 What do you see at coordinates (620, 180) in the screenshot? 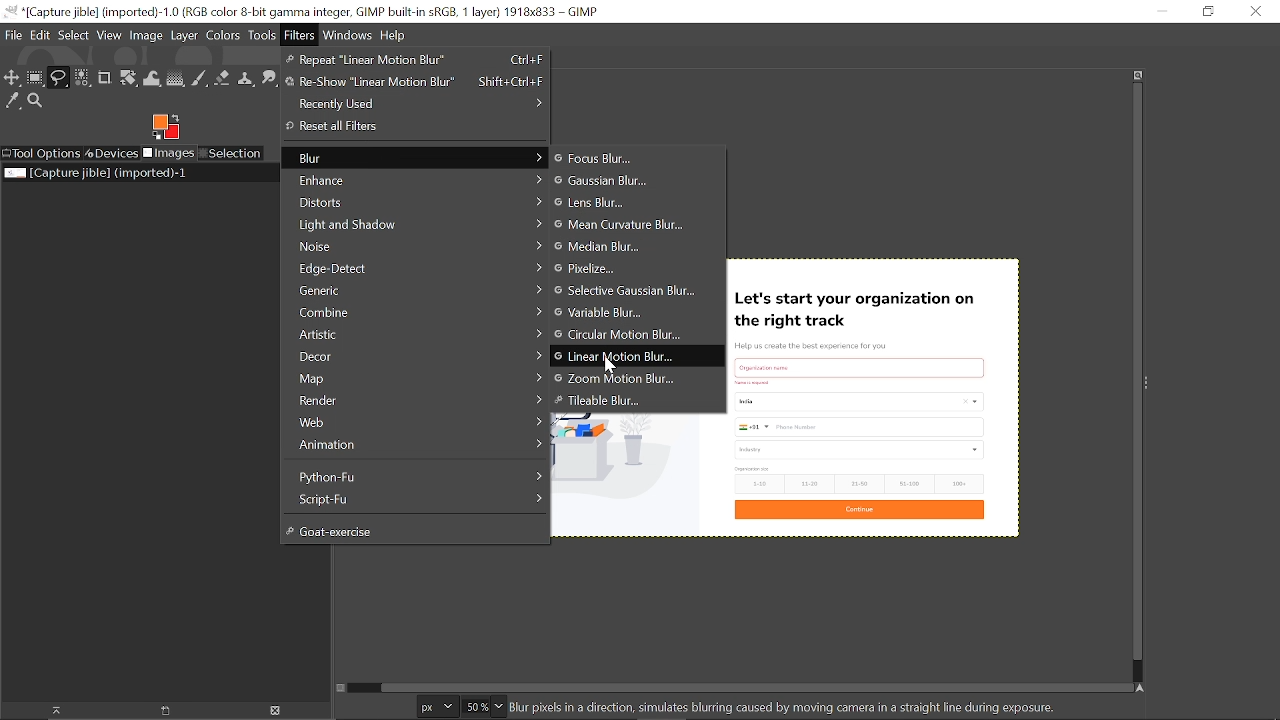
I see `gaussian blur` at bounding box center [620, 180].